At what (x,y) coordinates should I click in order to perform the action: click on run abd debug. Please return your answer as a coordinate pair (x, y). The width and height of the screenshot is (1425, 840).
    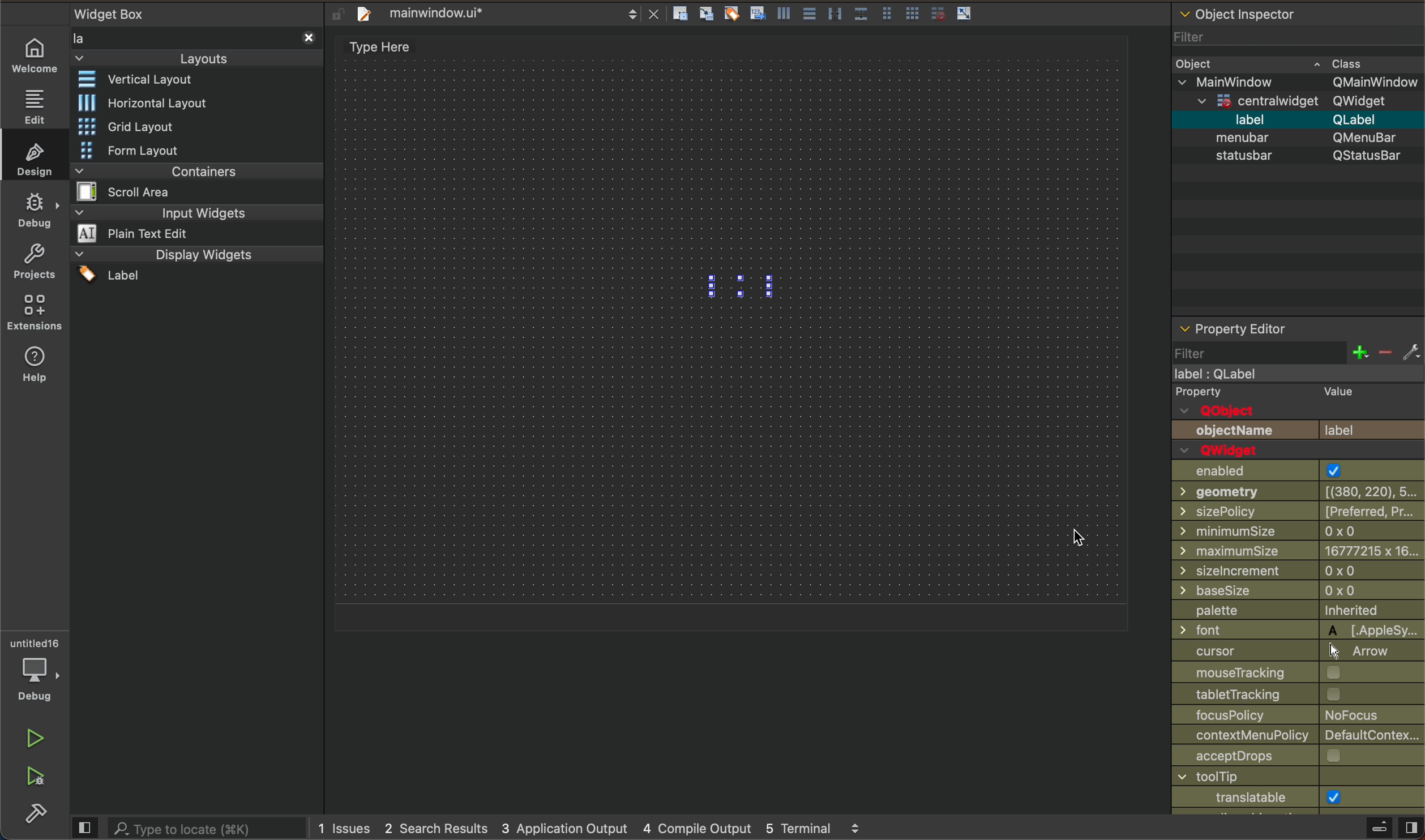
    Looking at the image, I should click on (41, 783).